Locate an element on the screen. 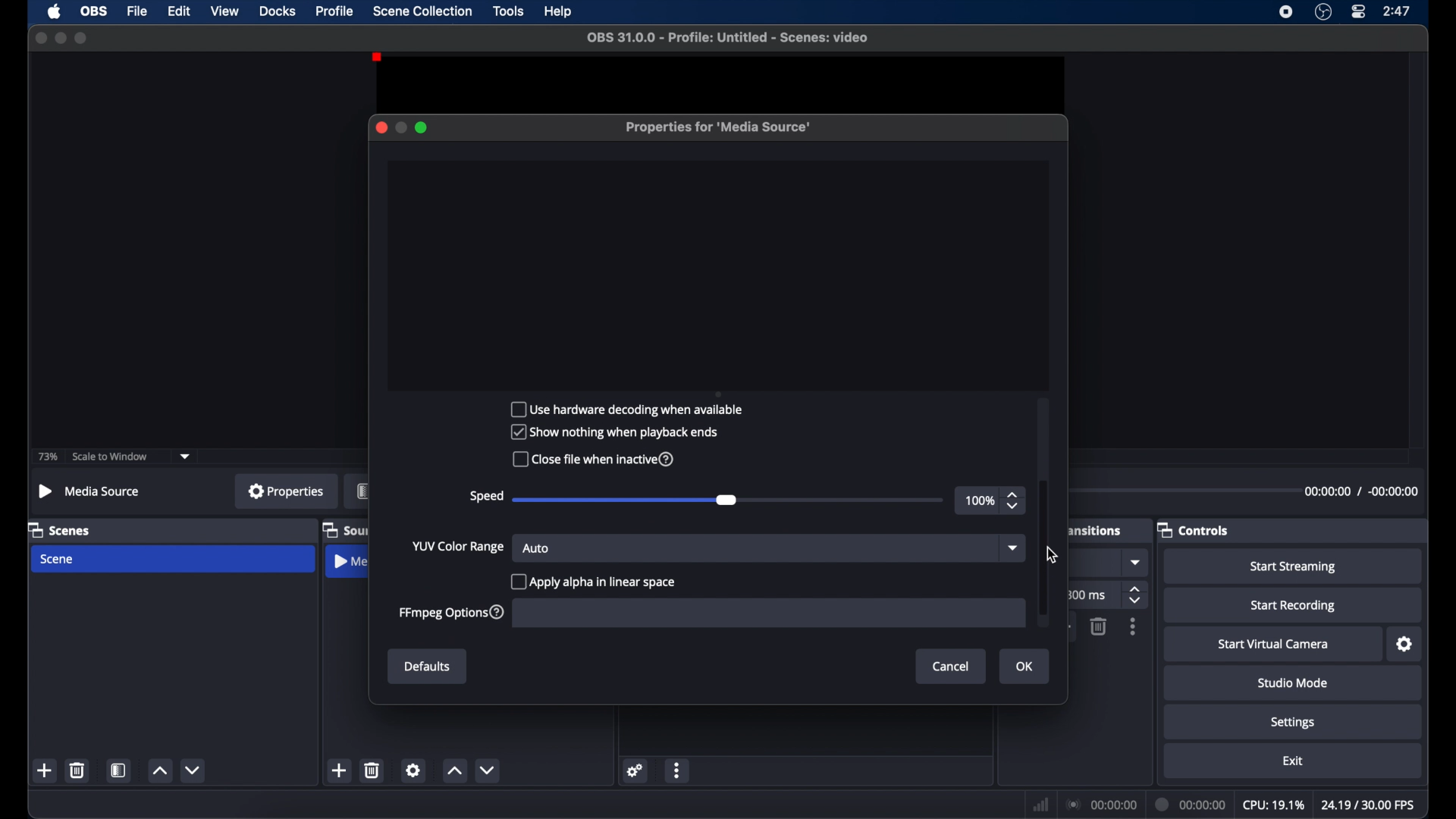 This screenshot has width=1456, height=819. slider is located at coordinates (625, 500).